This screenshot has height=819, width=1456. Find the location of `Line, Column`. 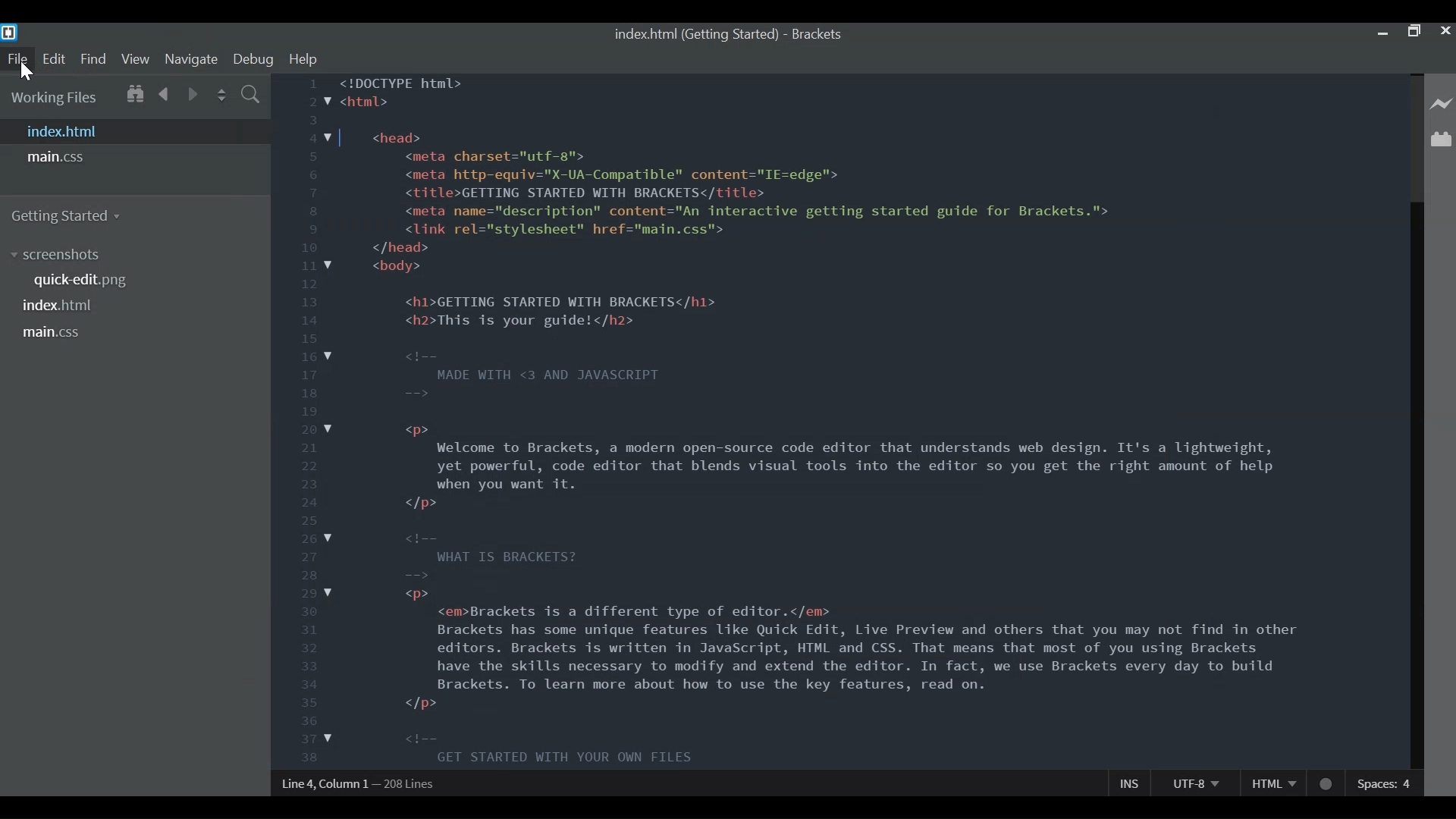

Line, Column is located at coordinates (356, 783).